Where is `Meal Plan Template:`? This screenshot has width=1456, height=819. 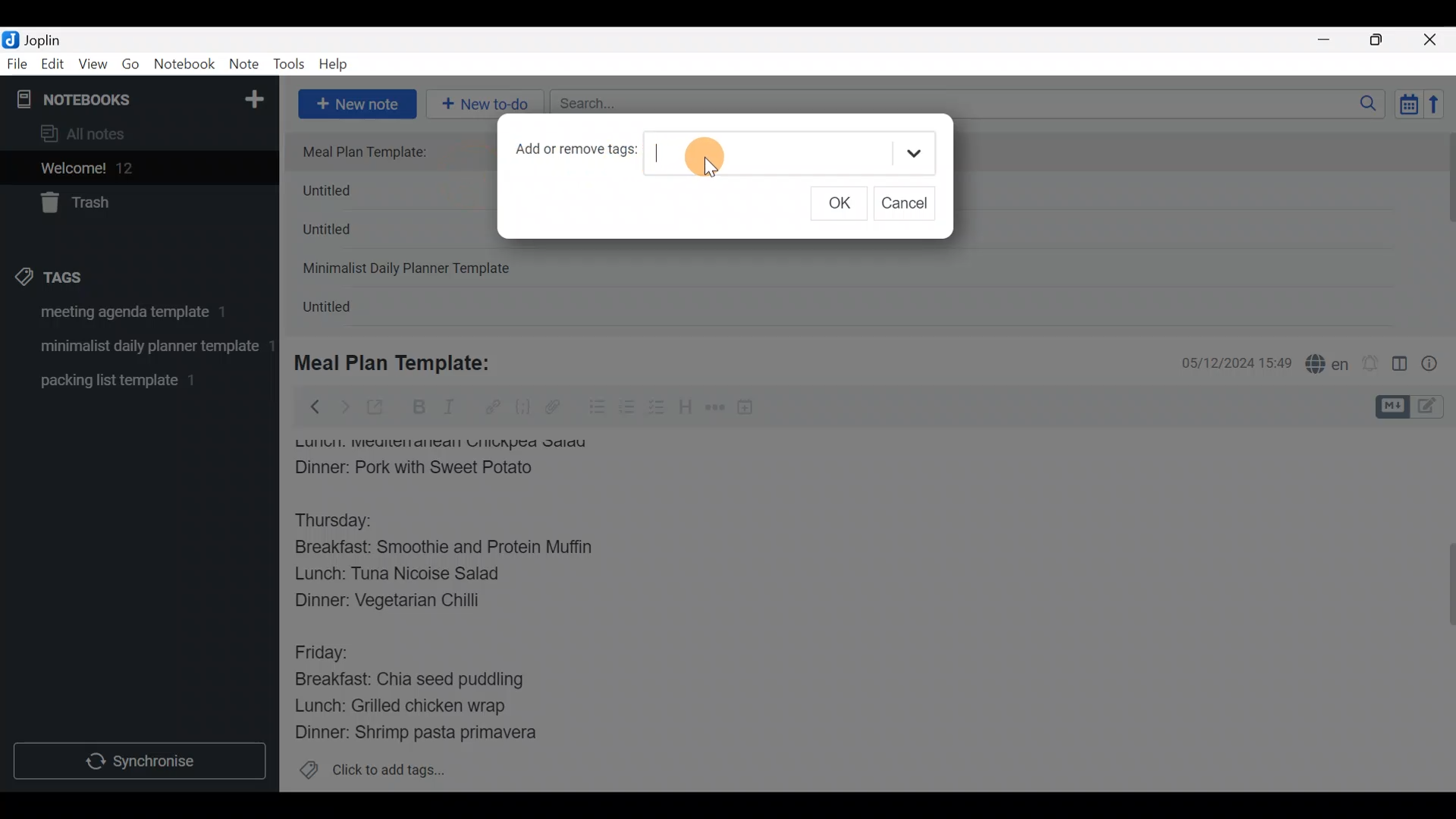 Meal Plan Template: is located at coordinates (402, 361).